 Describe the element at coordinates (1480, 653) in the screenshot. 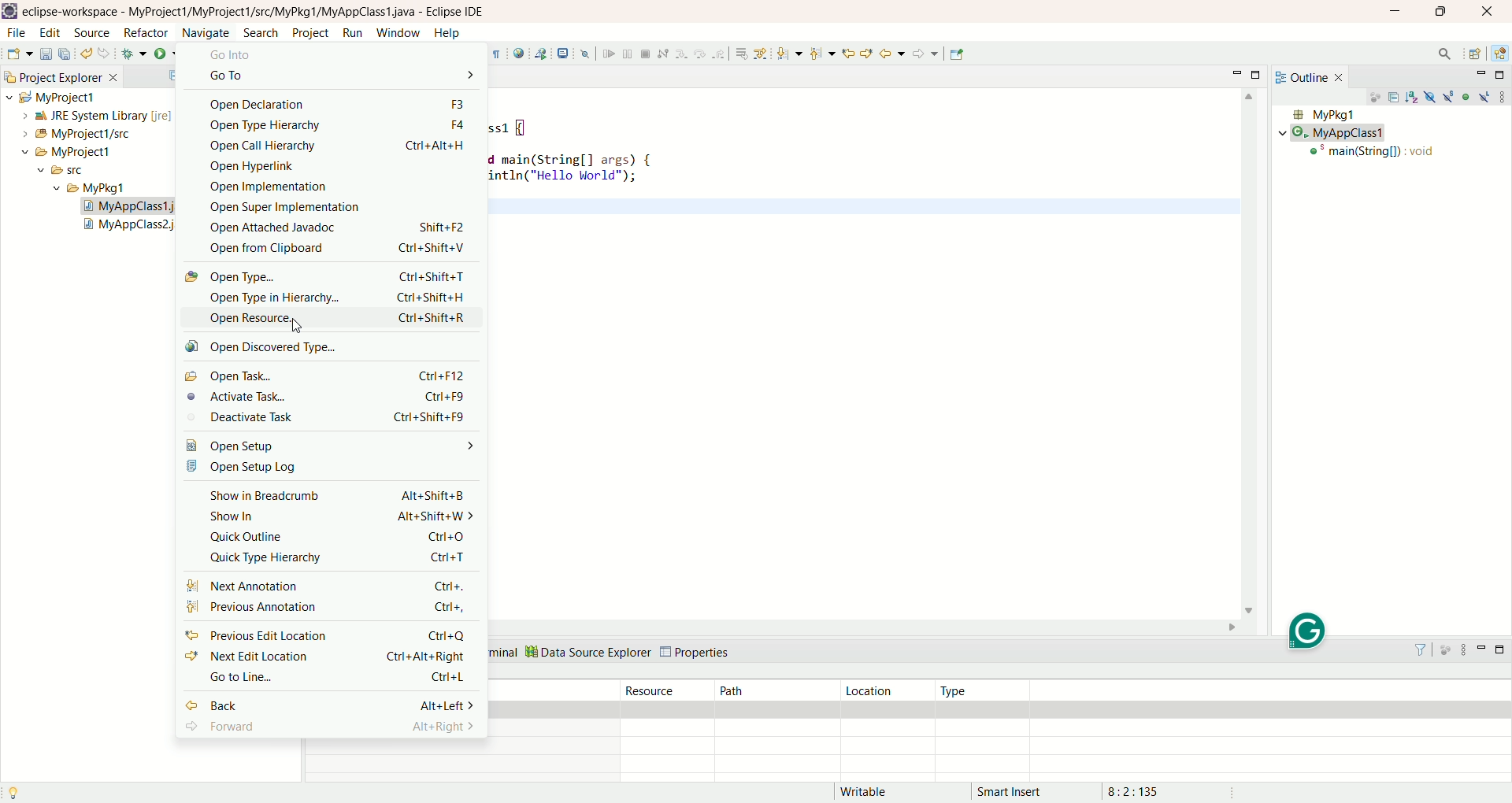

I see `minimize` at that location.